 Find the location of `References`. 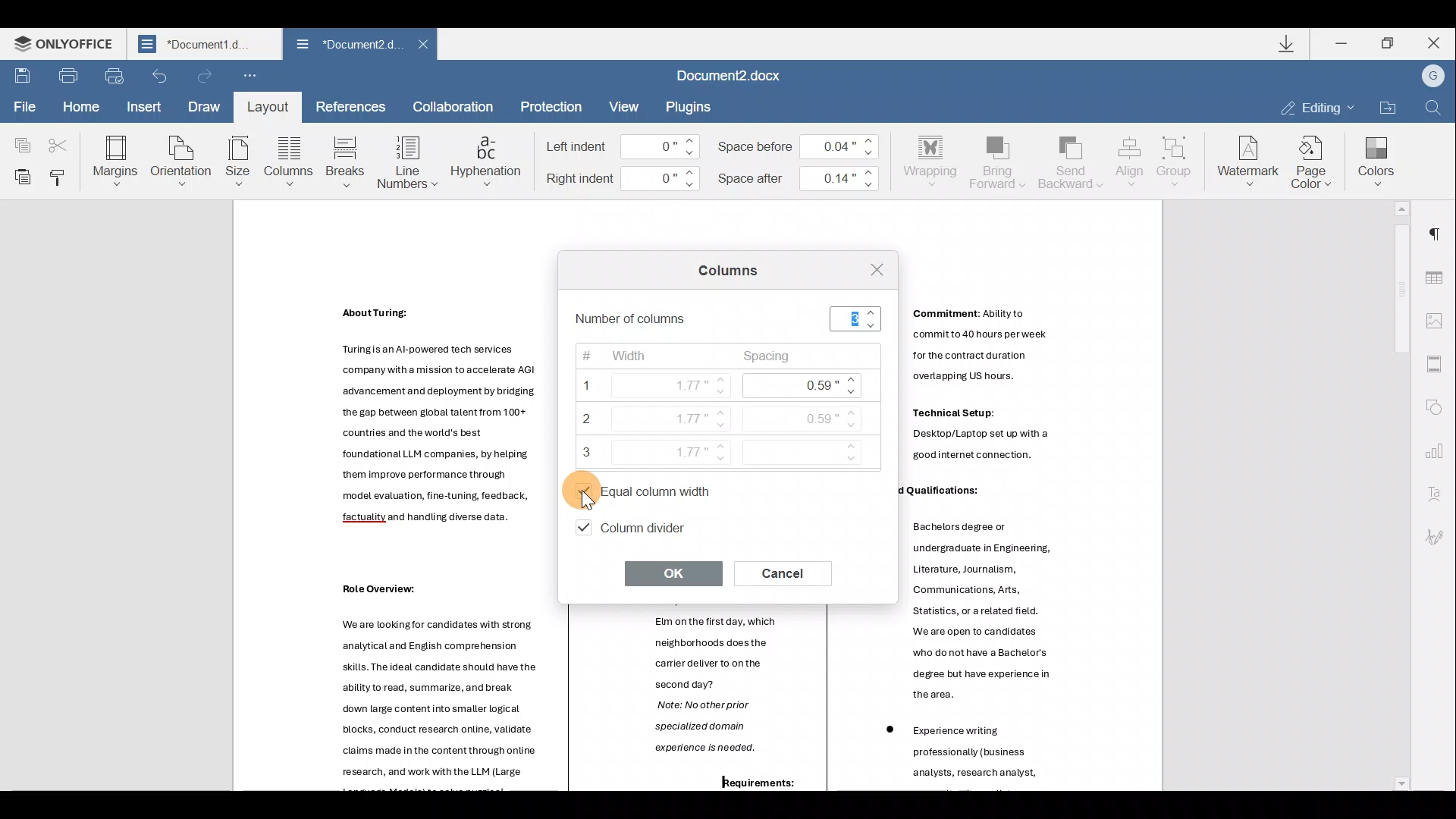

References is located at coordinates (352, 106).